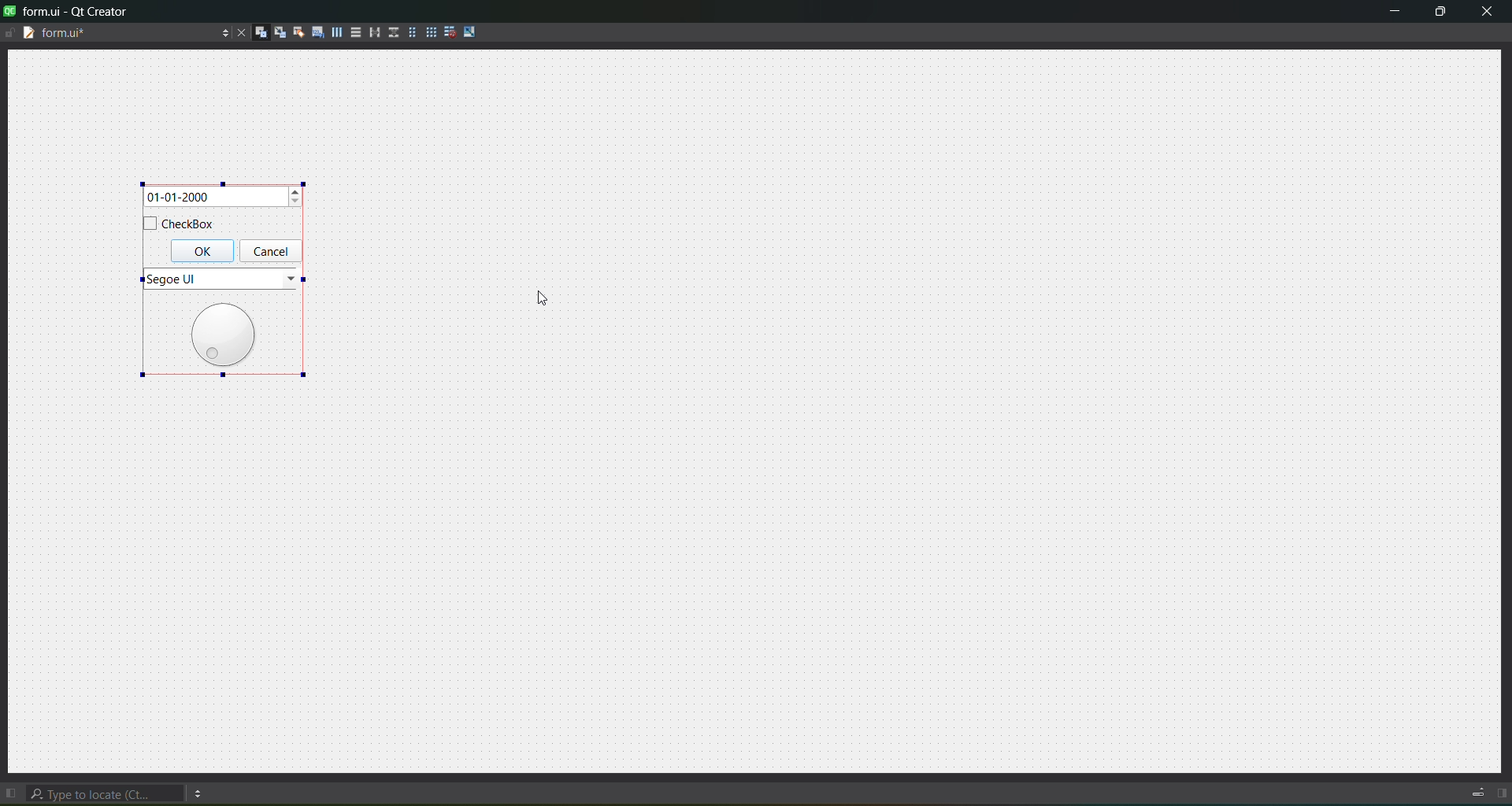 This screenshot has height=806, width=1512. What do you see at coordinates (1486, 12) in the screenshot?
I see `Close` at bounding box center [1486, 12].